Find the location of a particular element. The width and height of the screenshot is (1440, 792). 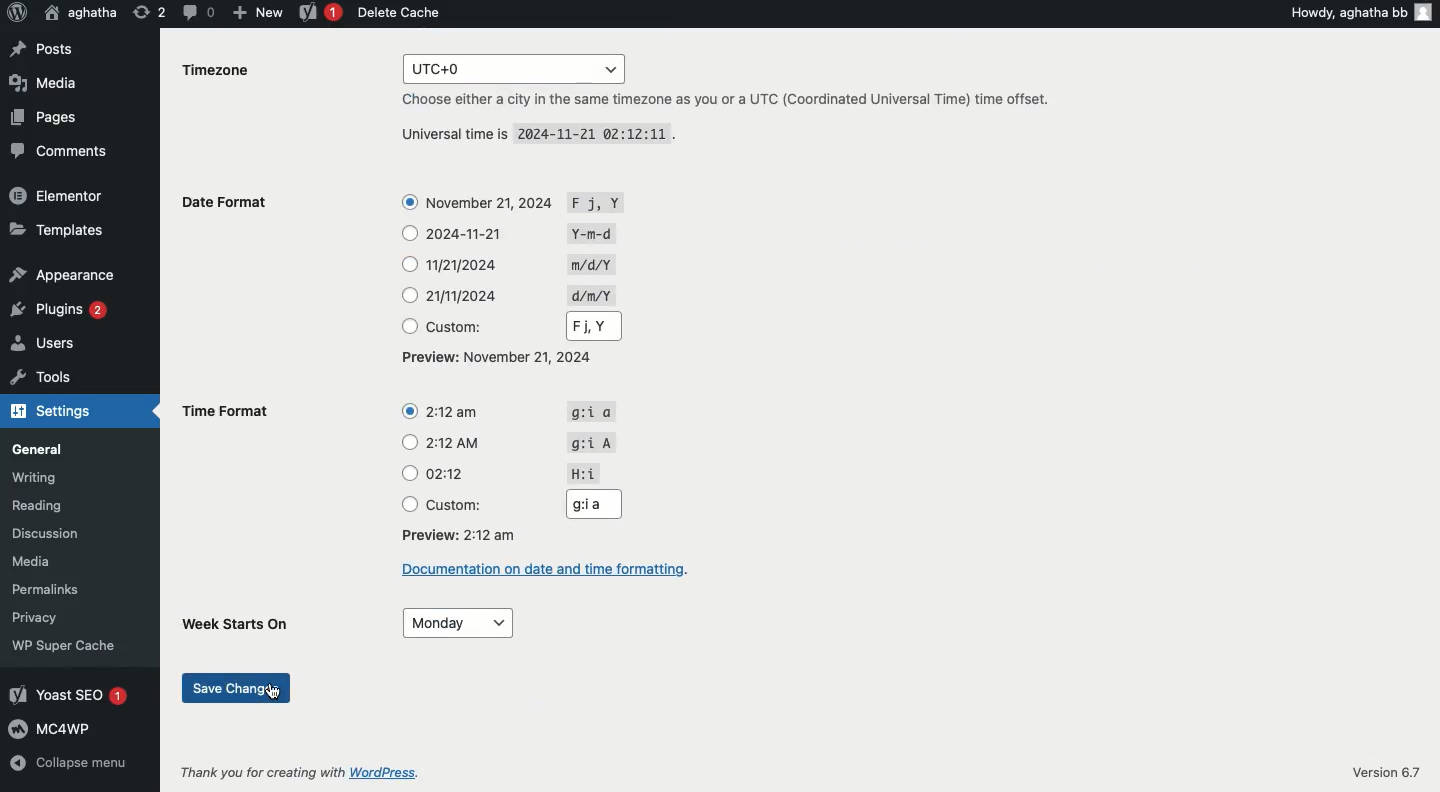

Media is located at coordinates (46, 83).